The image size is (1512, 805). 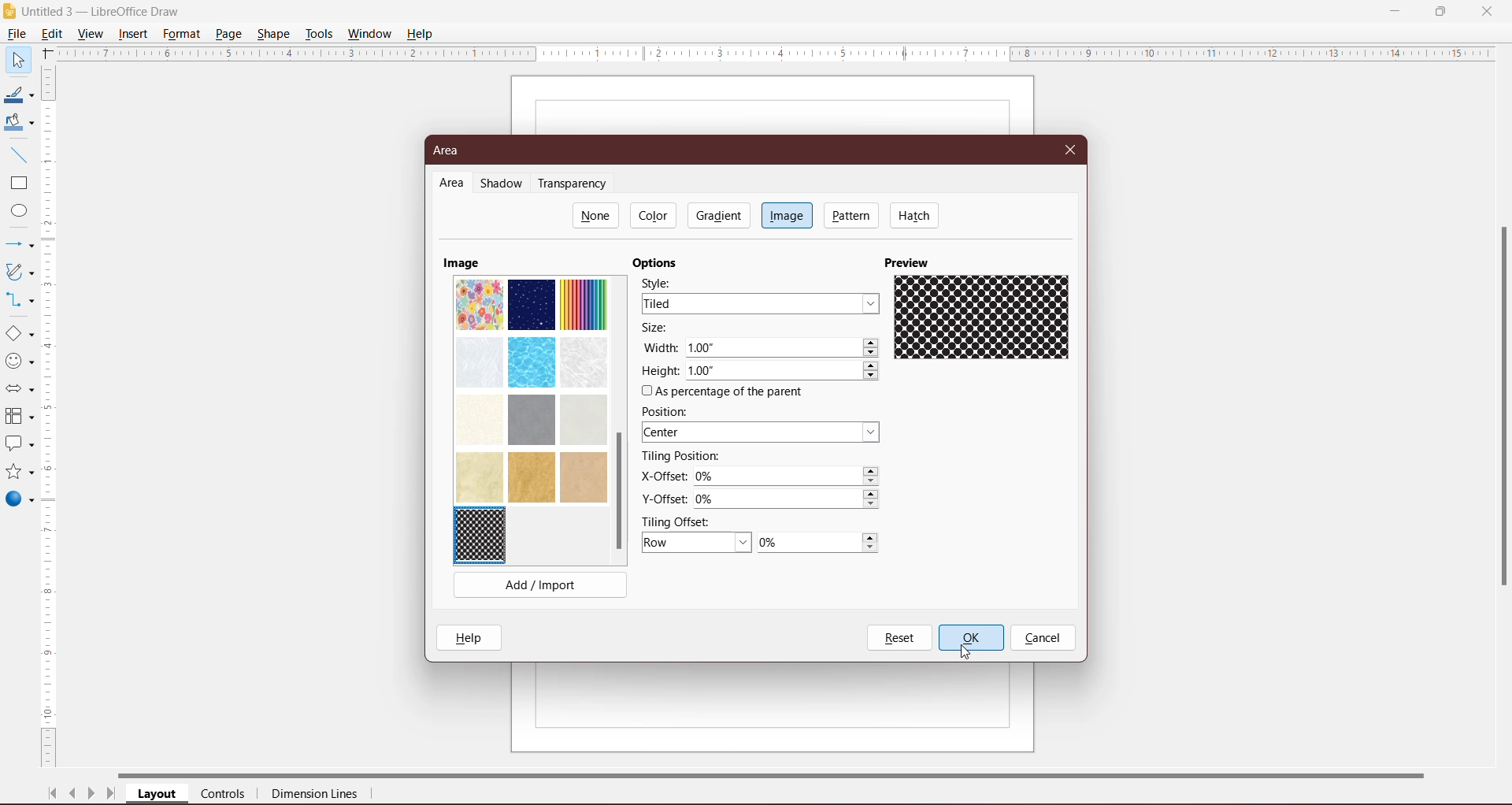 What do you see at coordinates (531, 388) in the screenshot?
I see `More Texture/images available` at bounding box center [531, 388].